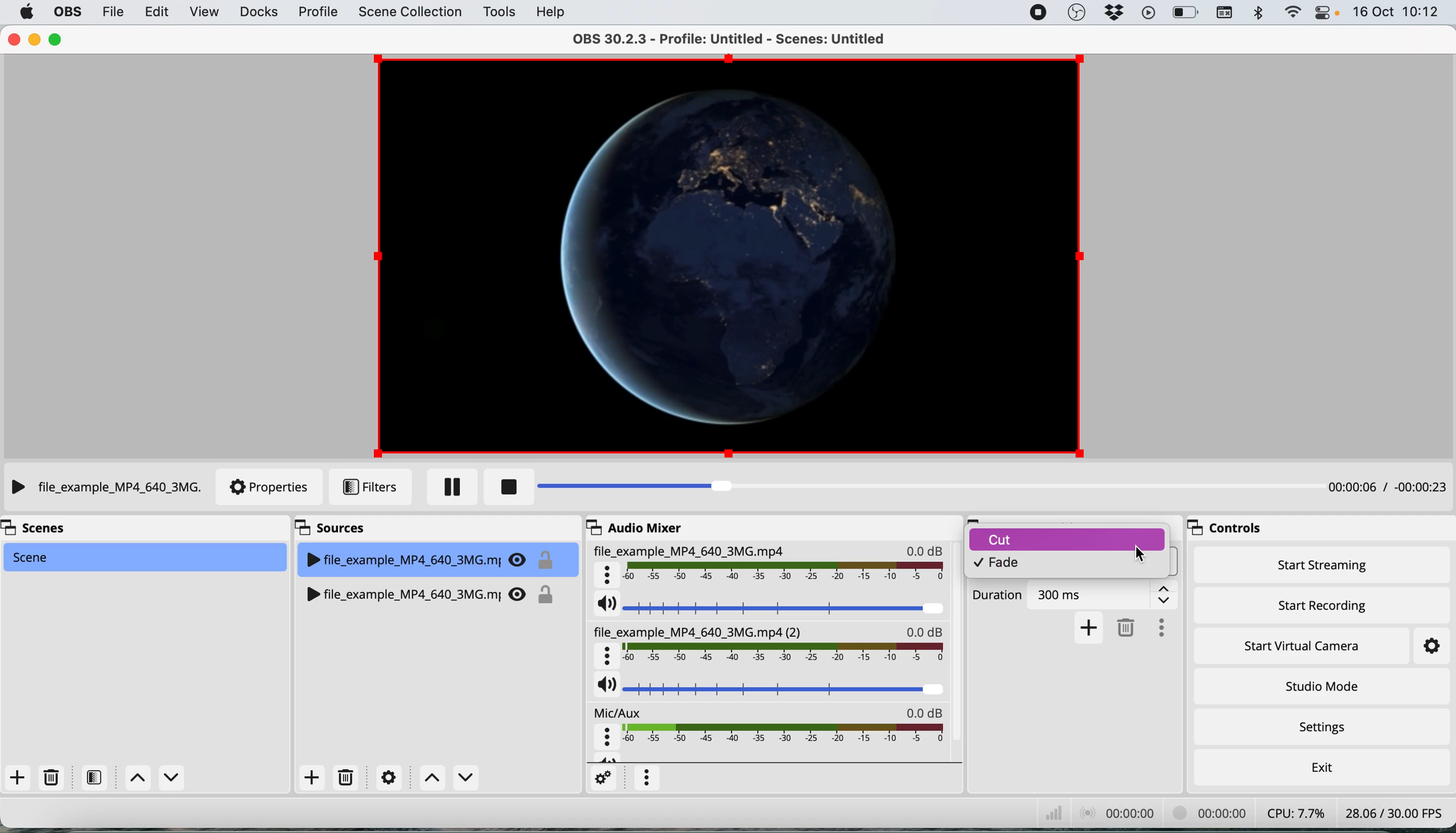 Image resolution: width=1456 pixels, height=833 pixels. Describe the element at coordinates (770, 605) in the screenshot. I see `current source audio volume` at that location.